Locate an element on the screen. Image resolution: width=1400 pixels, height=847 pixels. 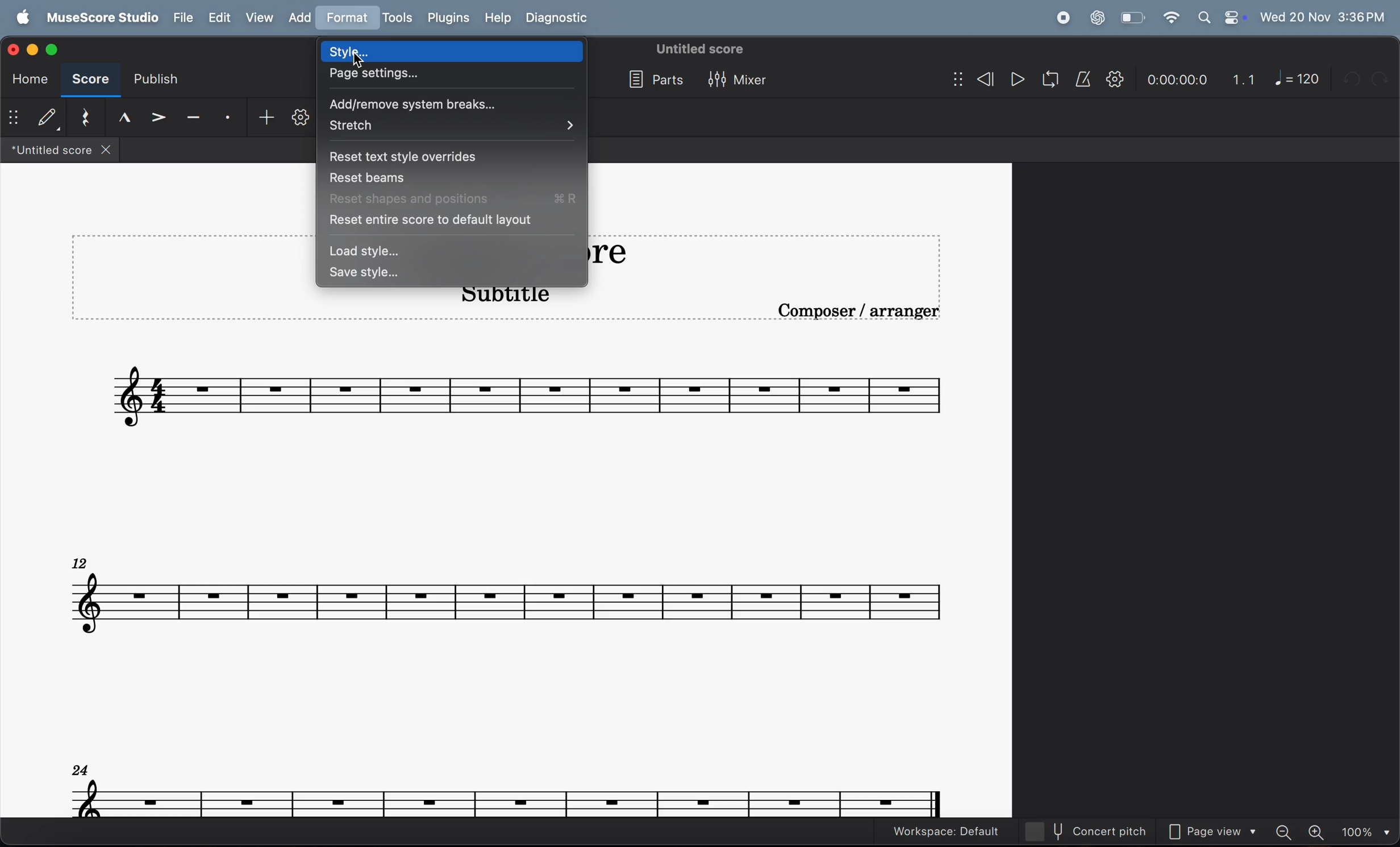
battery is located at coordinates (1131, 18).